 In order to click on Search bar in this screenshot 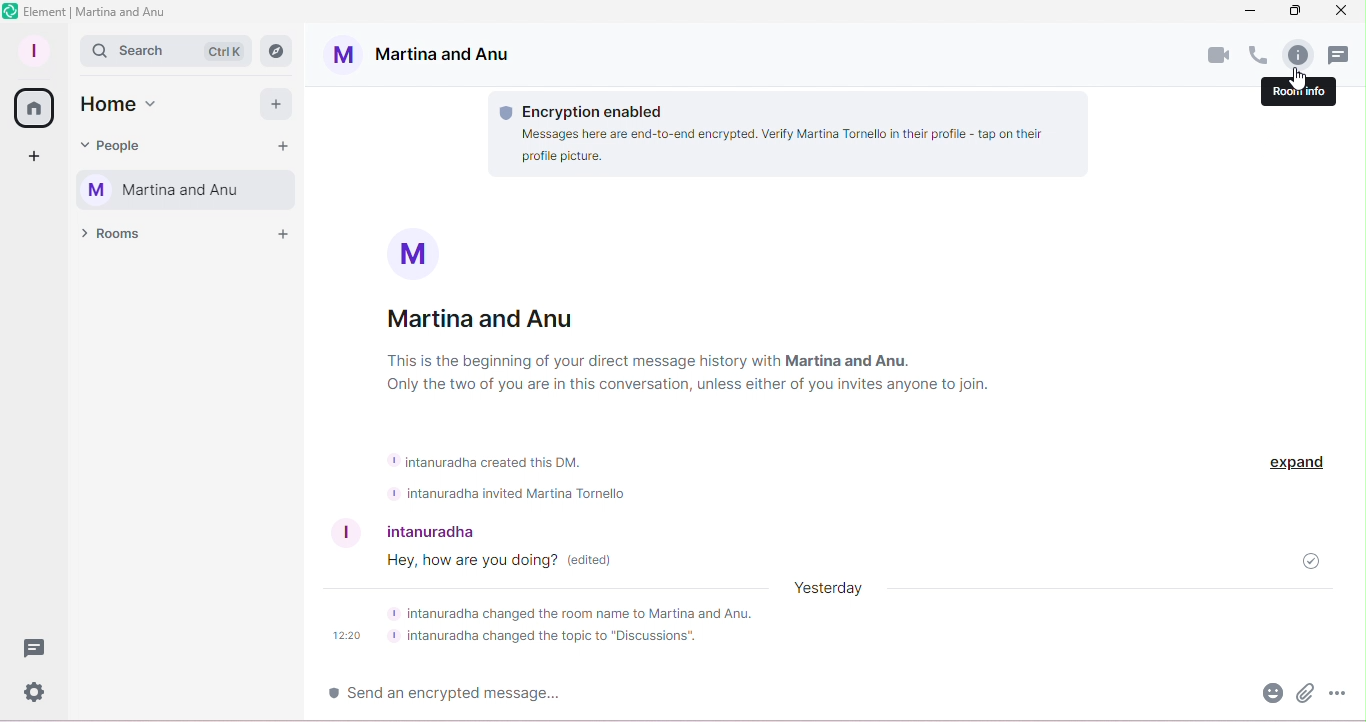, I will do `click(167, 50)`.